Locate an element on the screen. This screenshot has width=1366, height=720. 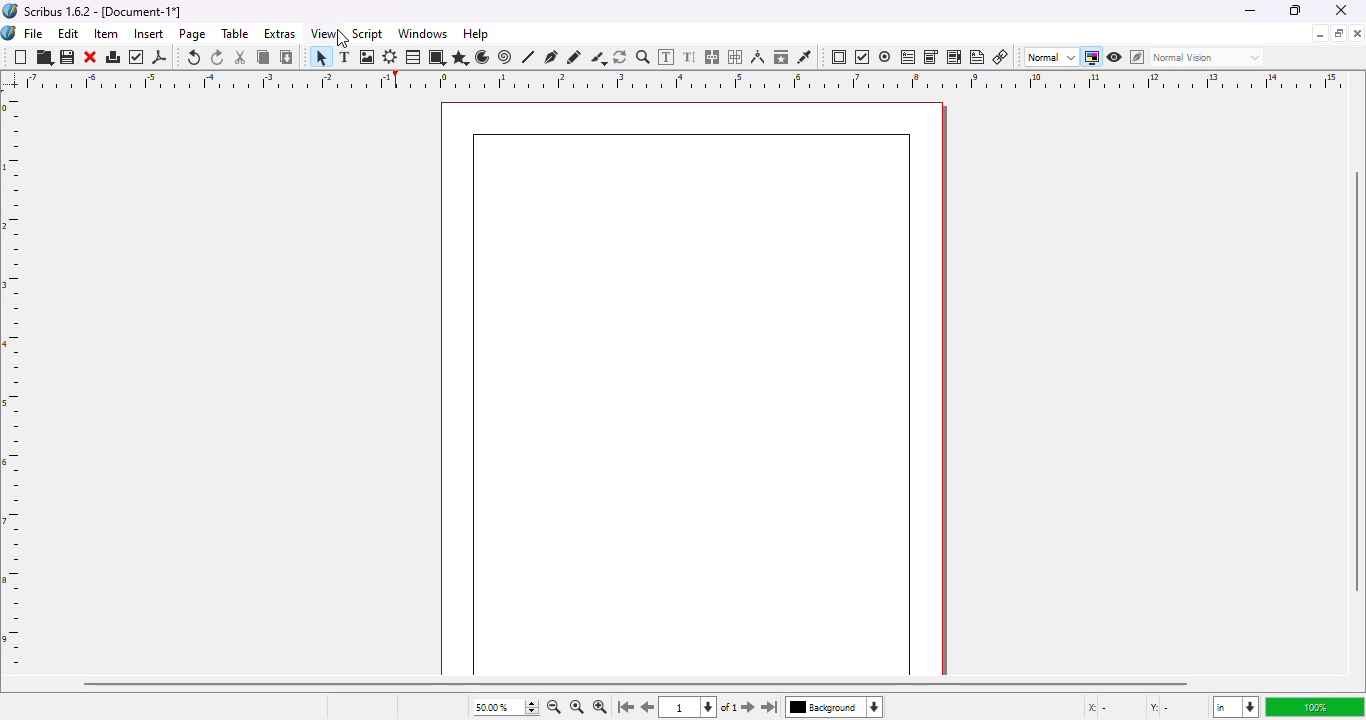
horizontal scroll bar is located at coordinates (635, 683).